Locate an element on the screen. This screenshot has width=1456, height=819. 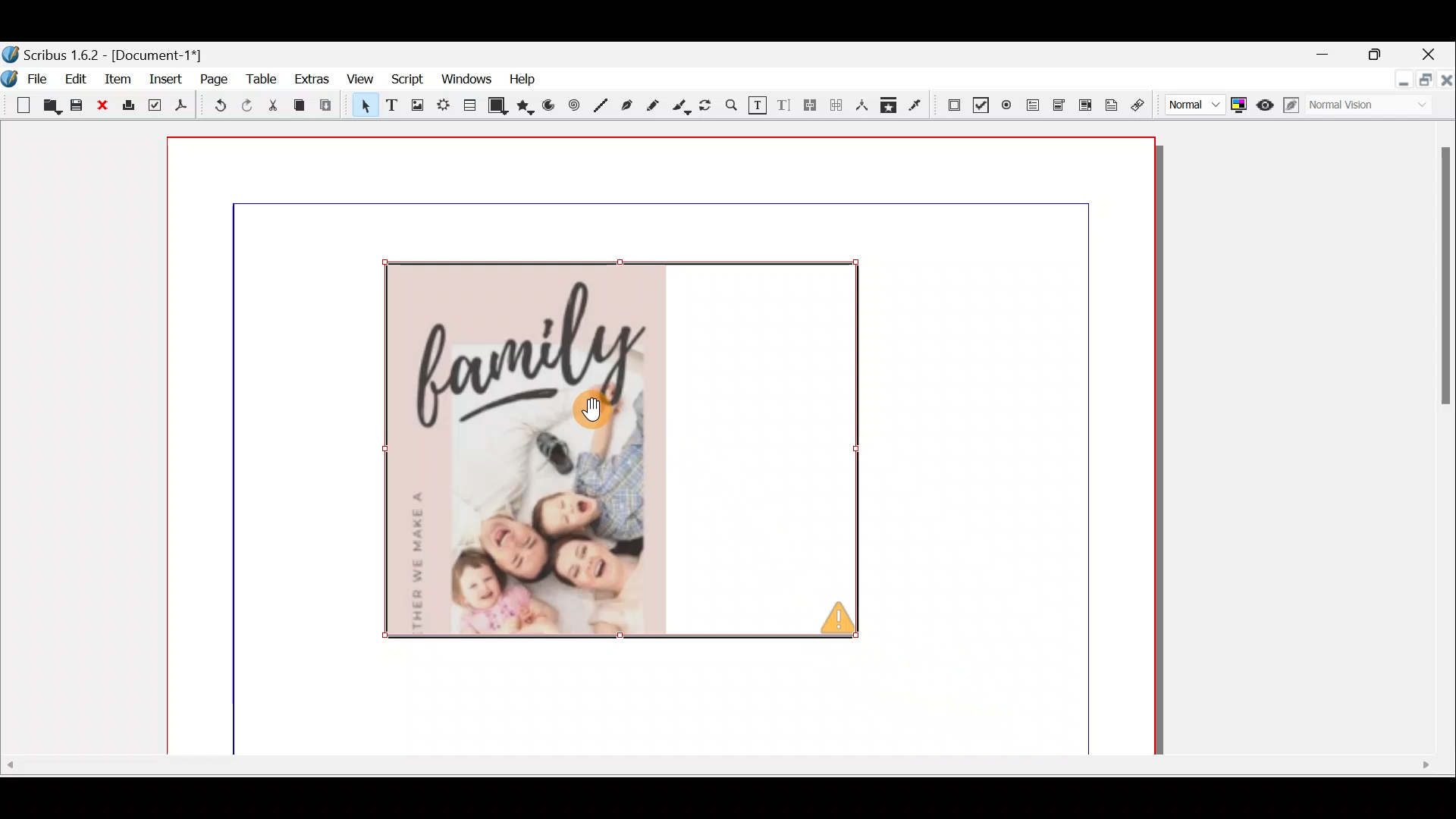
PDF text field is located at coordinates (1035, 110).